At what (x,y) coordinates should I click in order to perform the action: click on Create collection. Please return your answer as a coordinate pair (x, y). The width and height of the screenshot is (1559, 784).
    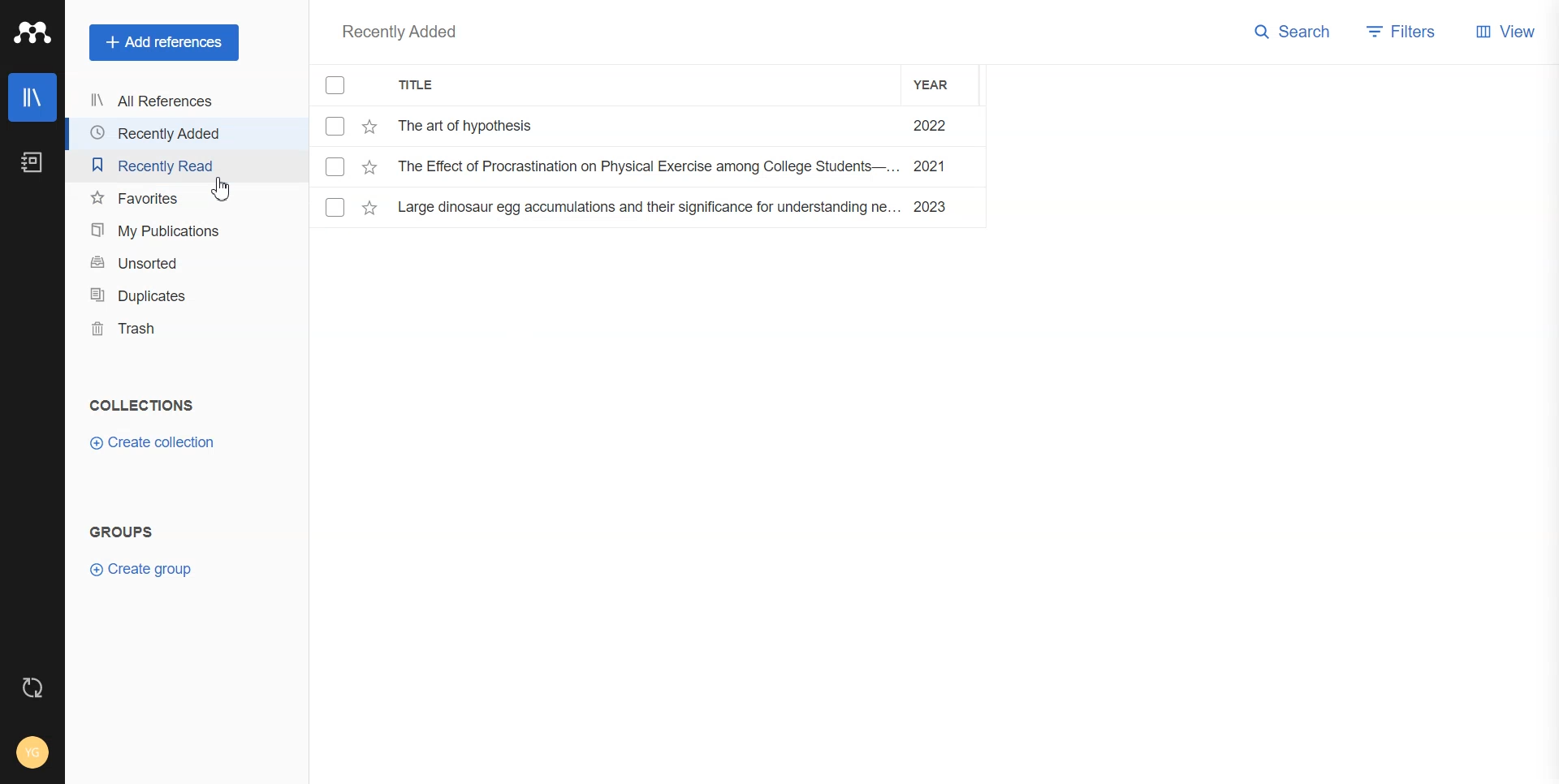
    Looking at the image, I should click on (153, 443).